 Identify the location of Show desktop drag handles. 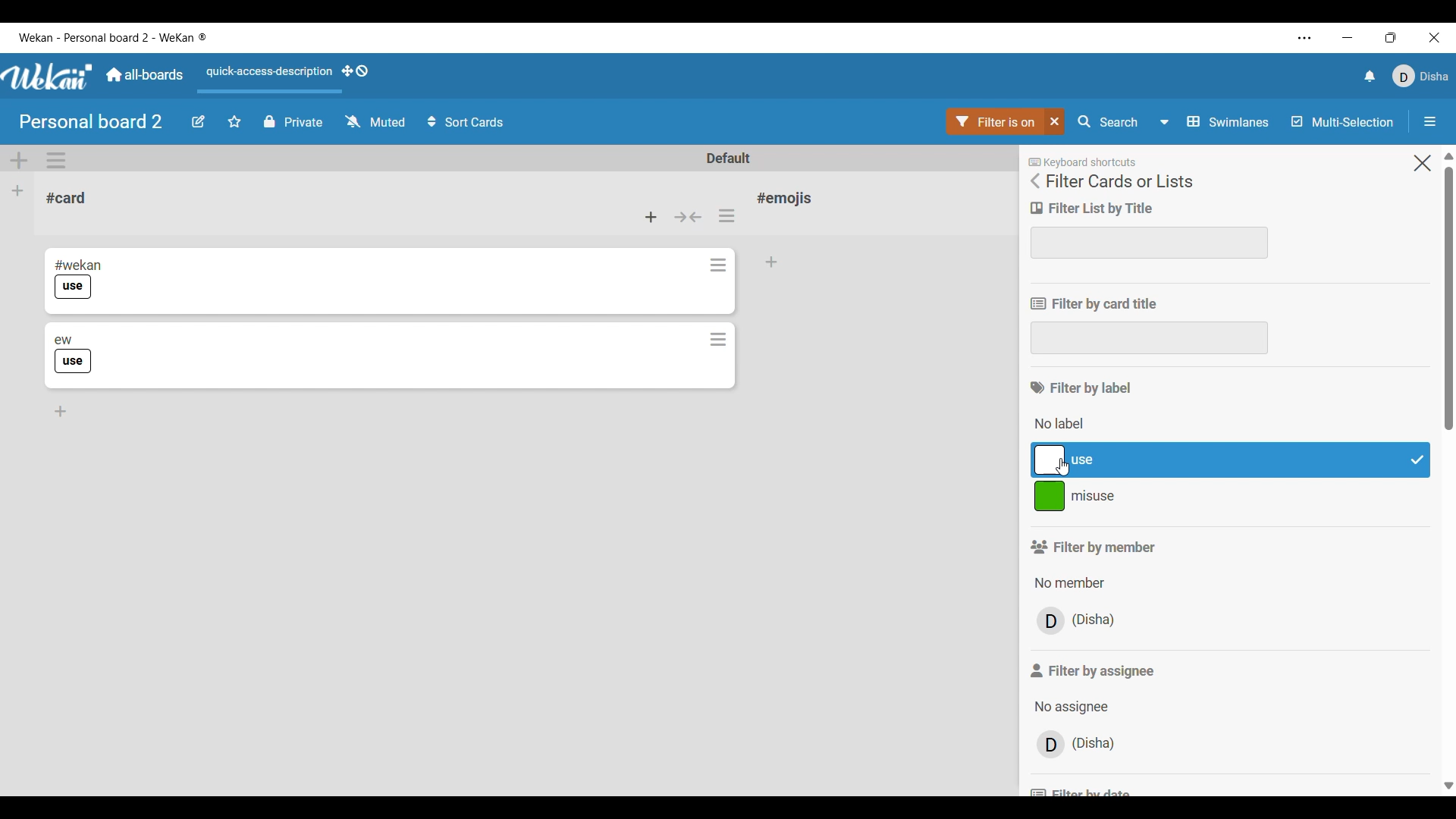
(355, 71).